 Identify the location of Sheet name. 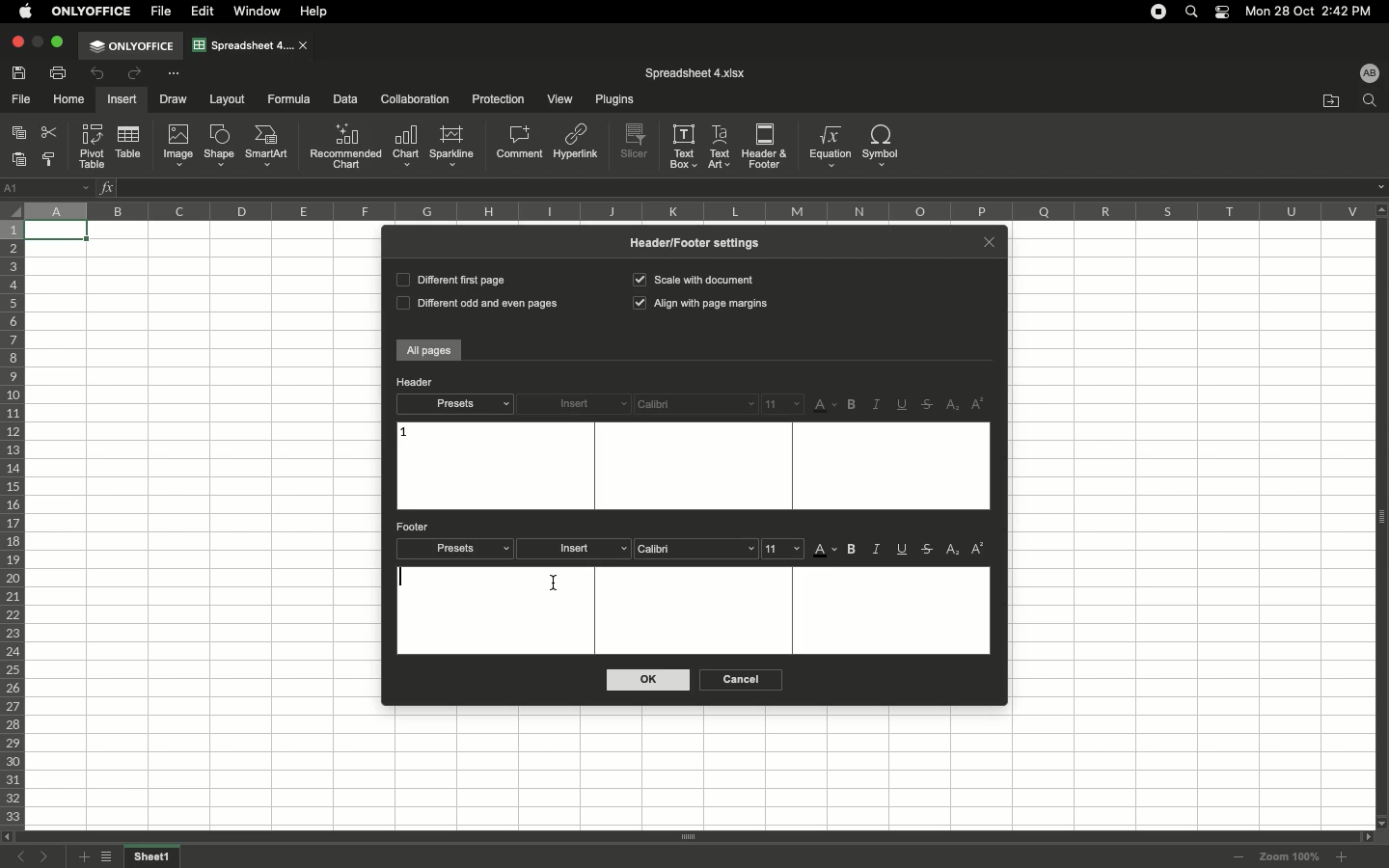
(154, 857).